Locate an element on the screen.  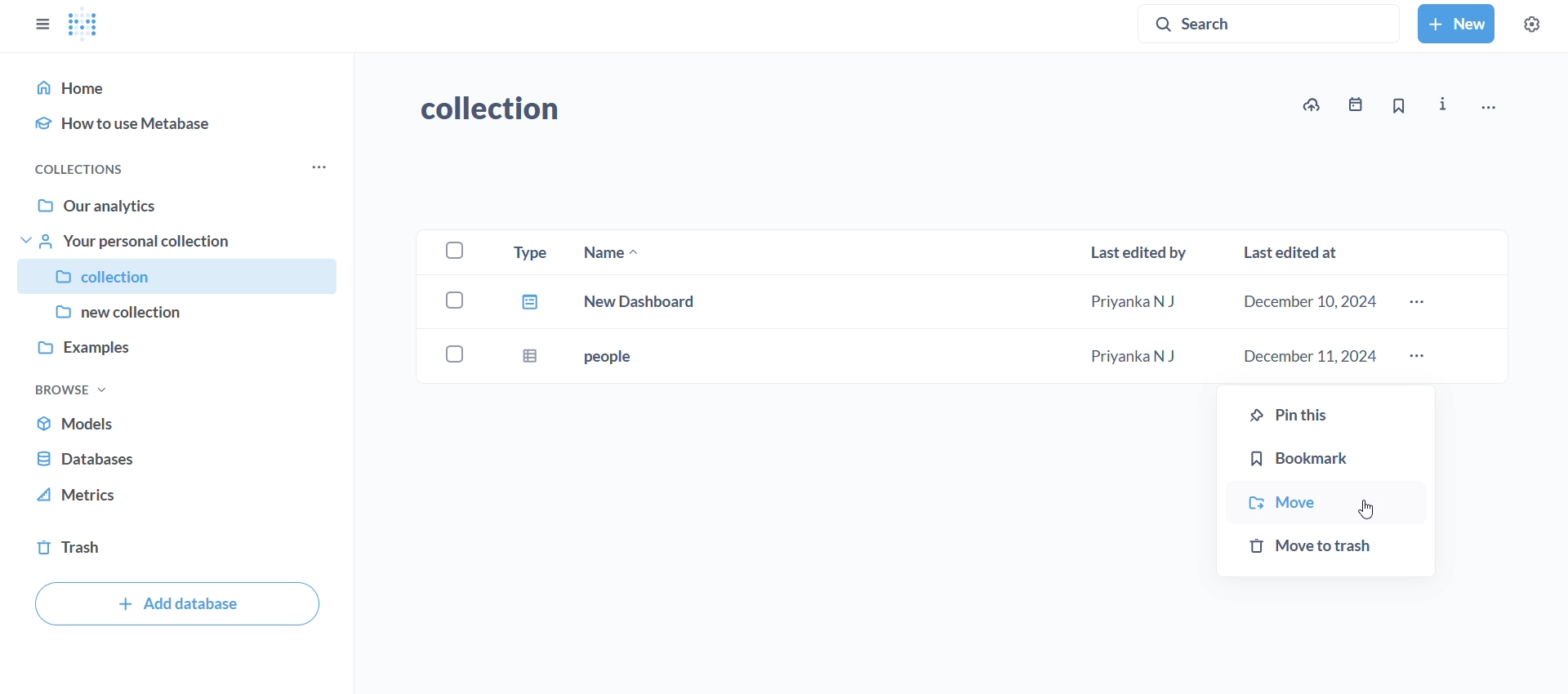
home is located at coordinates (183, 87).